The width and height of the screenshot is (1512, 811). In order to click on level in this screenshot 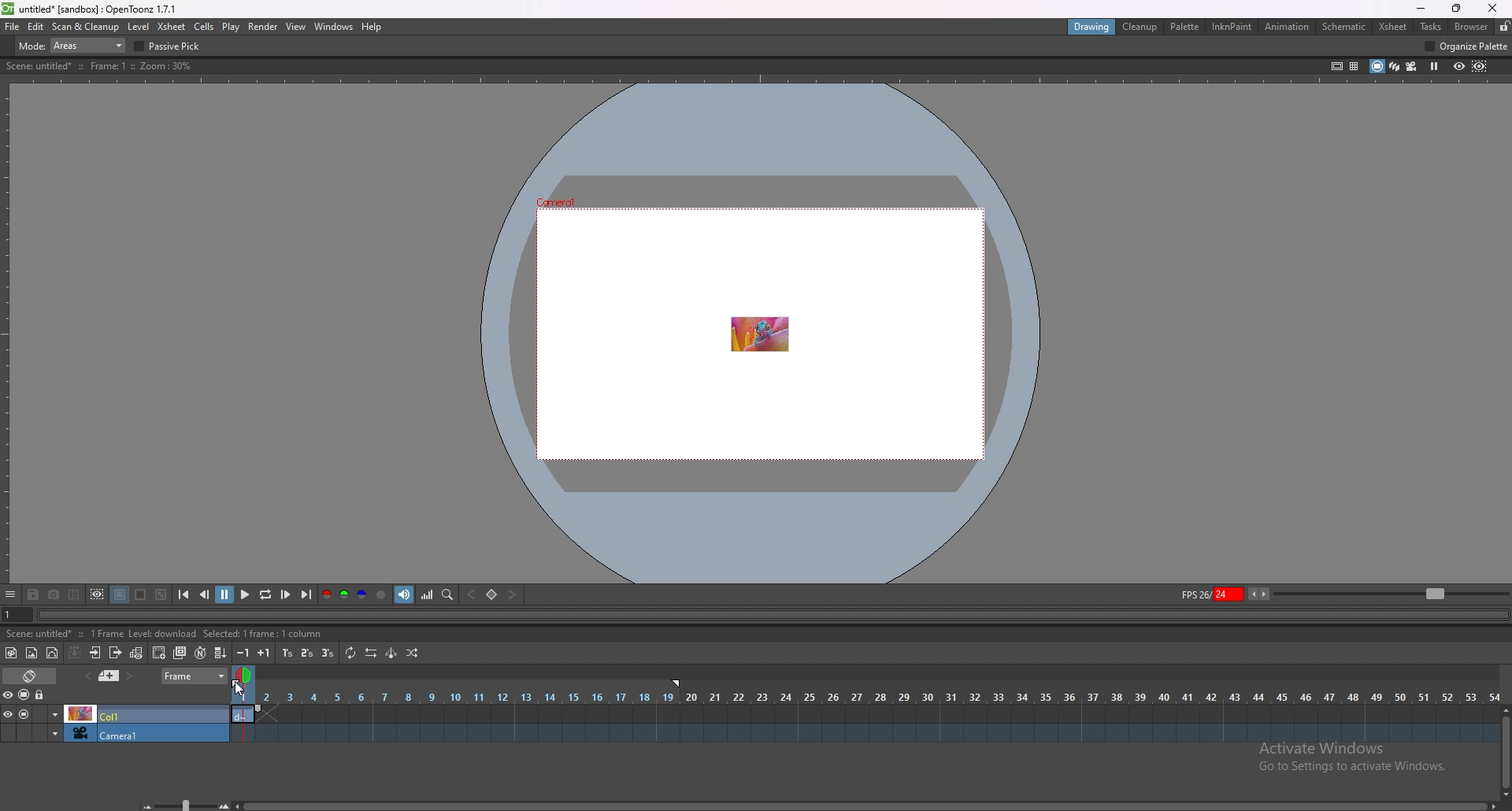, I will do `click(138, 28)`.